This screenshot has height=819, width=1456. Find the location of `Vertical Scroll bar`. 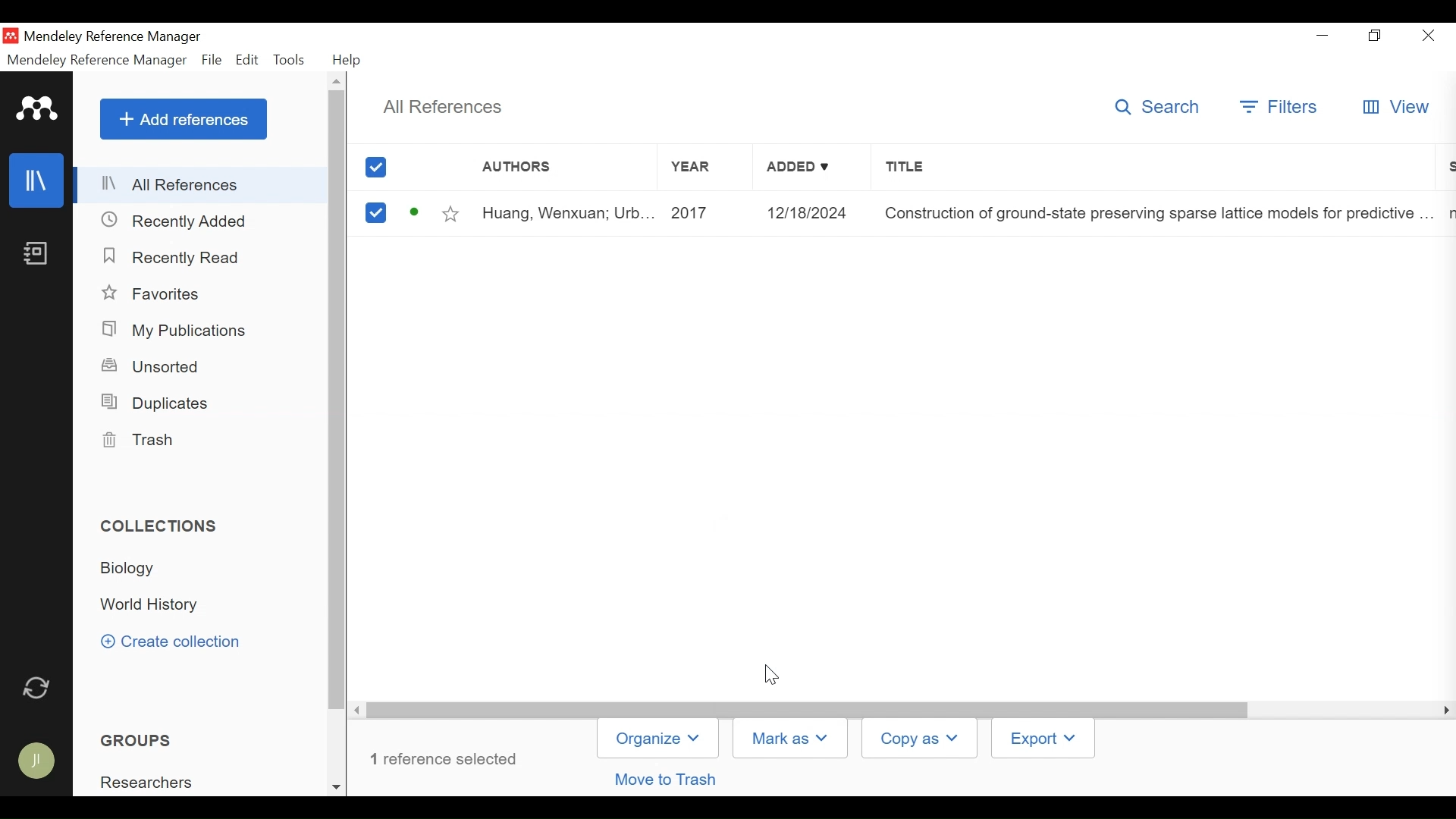

Vertical Scroll bar is located at coordinates (338, 399).